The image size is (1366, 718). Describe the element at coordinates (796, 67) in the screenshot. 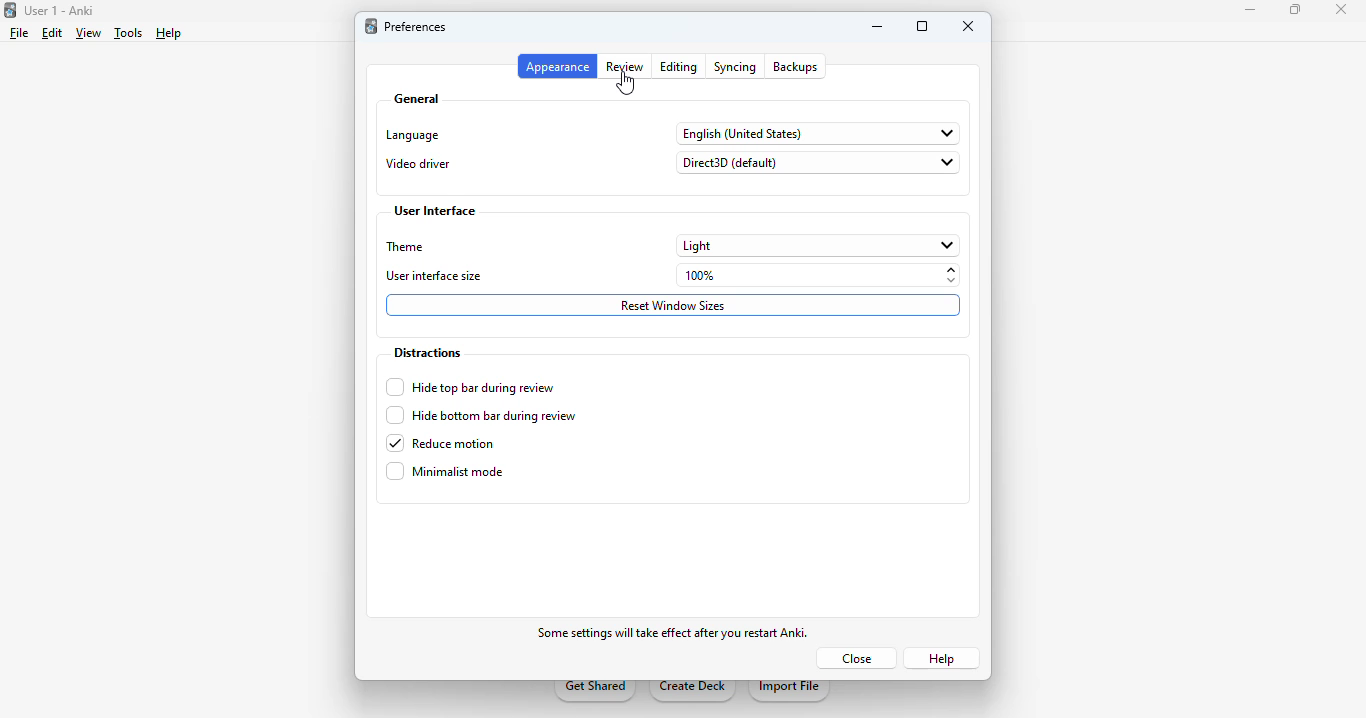

I see `backups` at that location.